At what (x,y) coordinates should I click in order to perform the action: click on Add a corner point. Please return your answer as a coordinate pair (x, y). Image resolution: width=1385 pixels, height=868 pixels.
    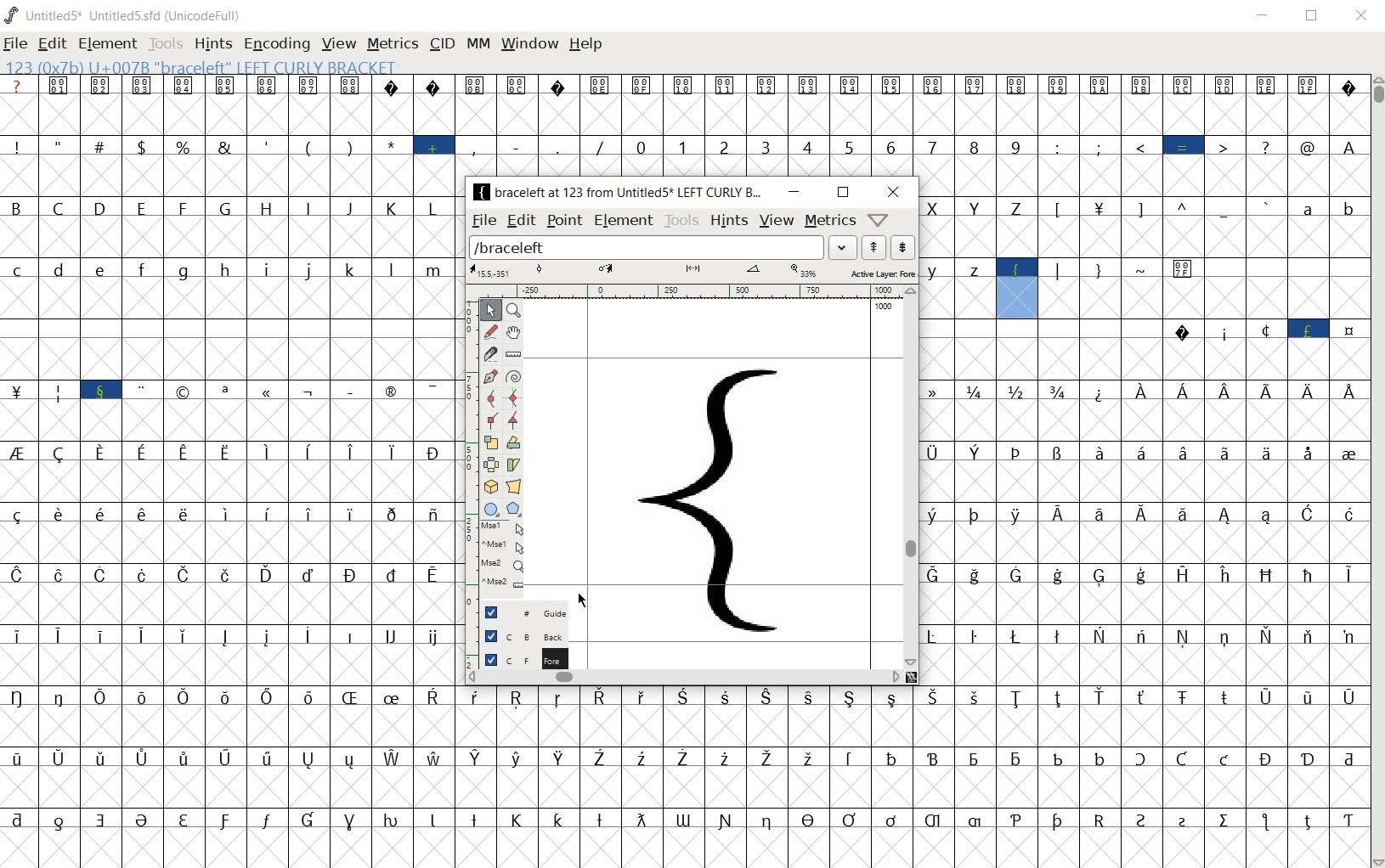
    Looking at the image, I should click on (490, 420).